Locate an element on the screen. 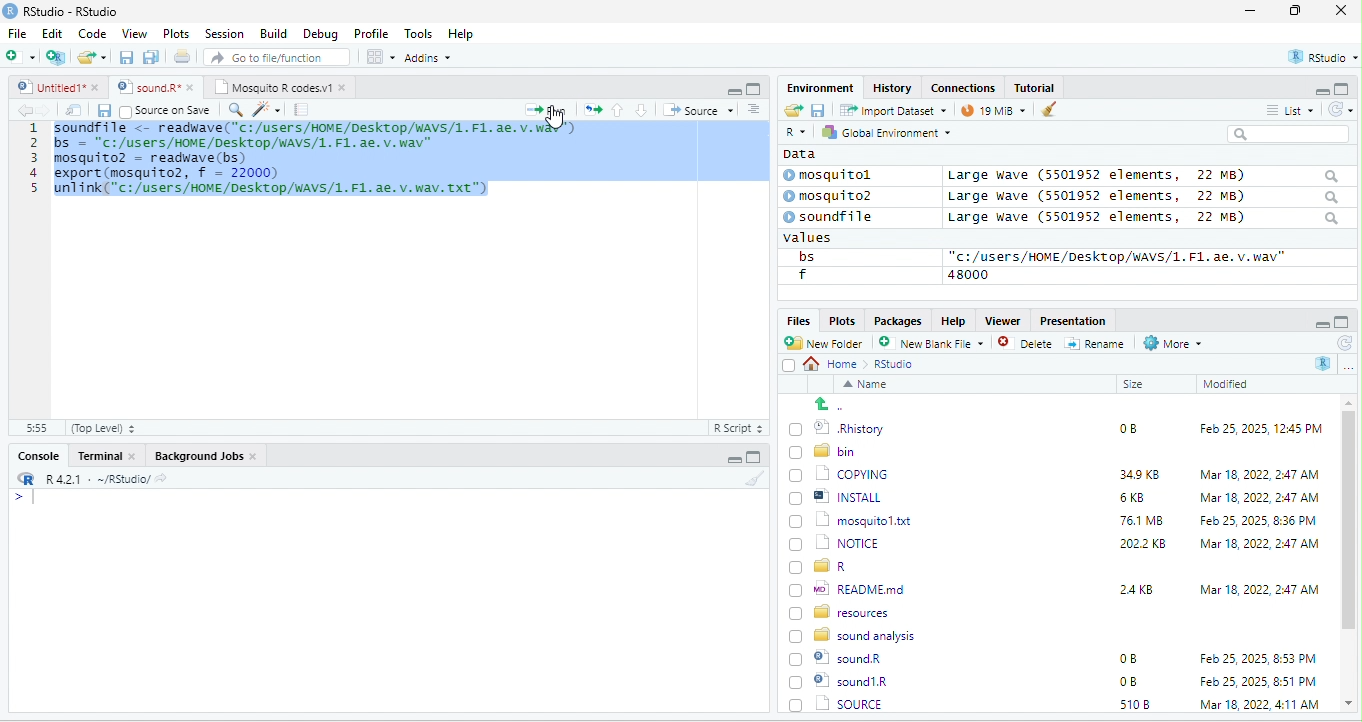 The width and height of the screenshot is (1362, 722). Tutorial is located at coordinates (1037, 87).